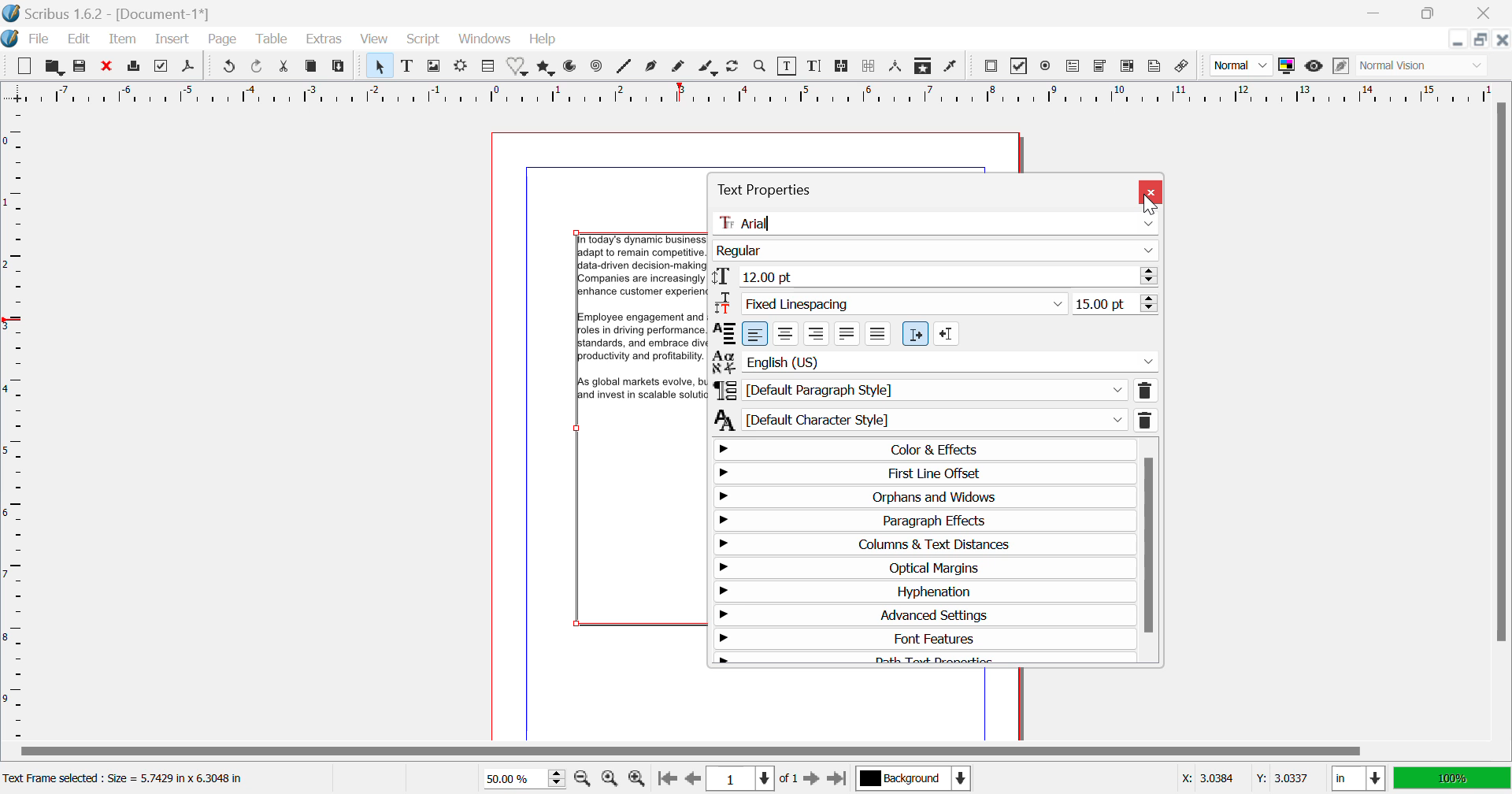 This screenshot has height=794, width=1512. I want to click on Image Frame, so click(435, 66).